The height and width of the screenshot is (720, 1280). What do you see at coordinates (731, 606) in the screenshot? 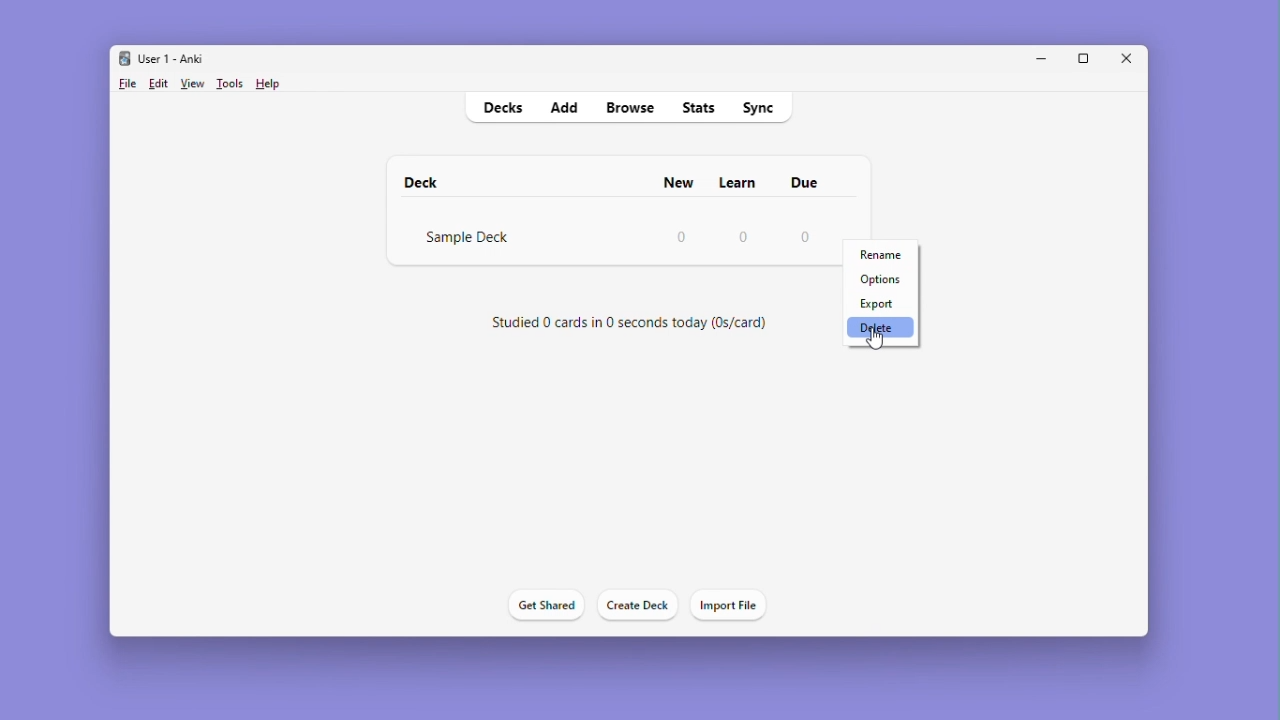
I see `Import file` at bounding box center [731, 606].